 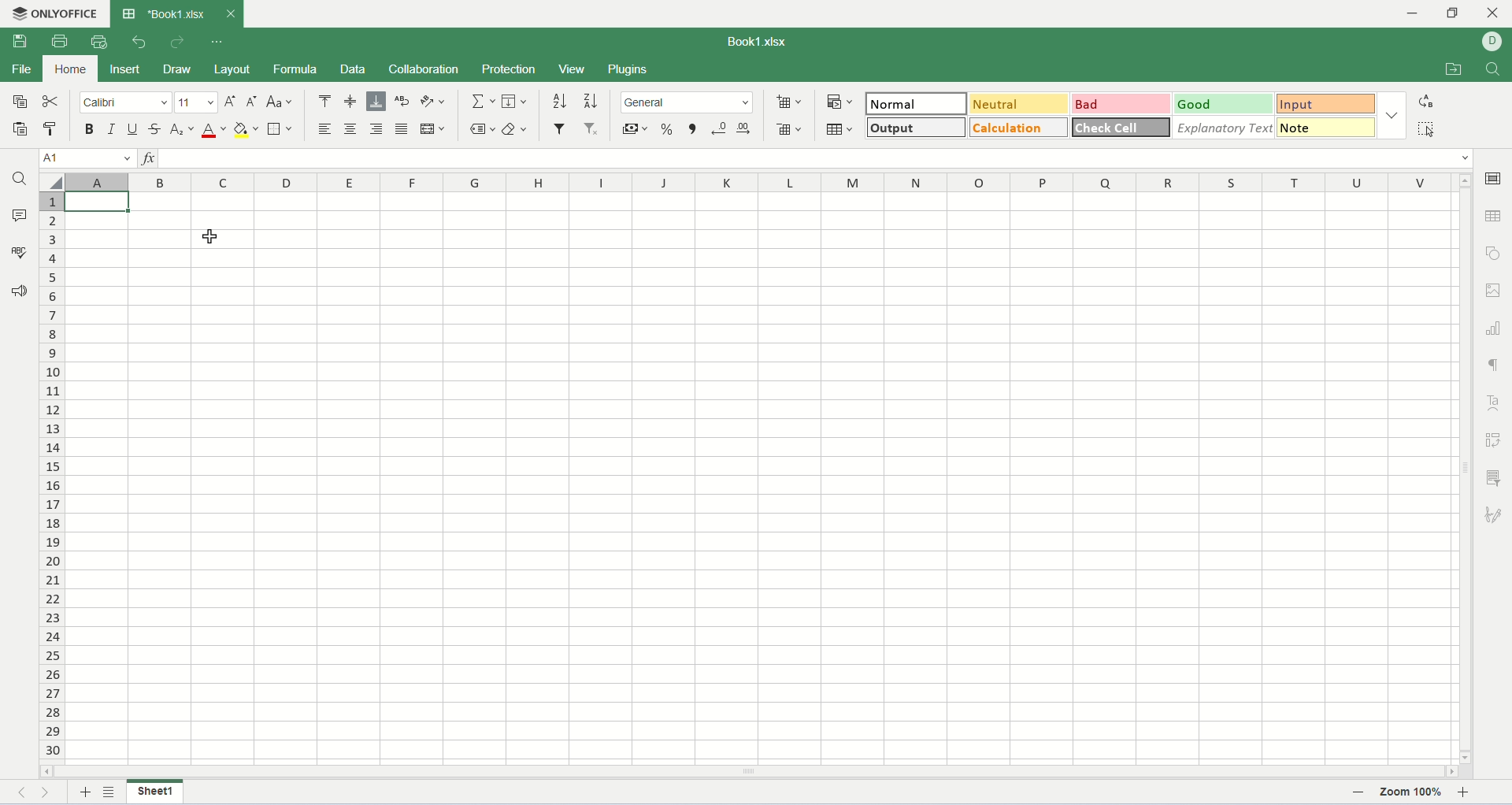 What do you see at coordinates (433, 128) in the screenshot?
I see `merge and center` at bounding box center [433, 128].